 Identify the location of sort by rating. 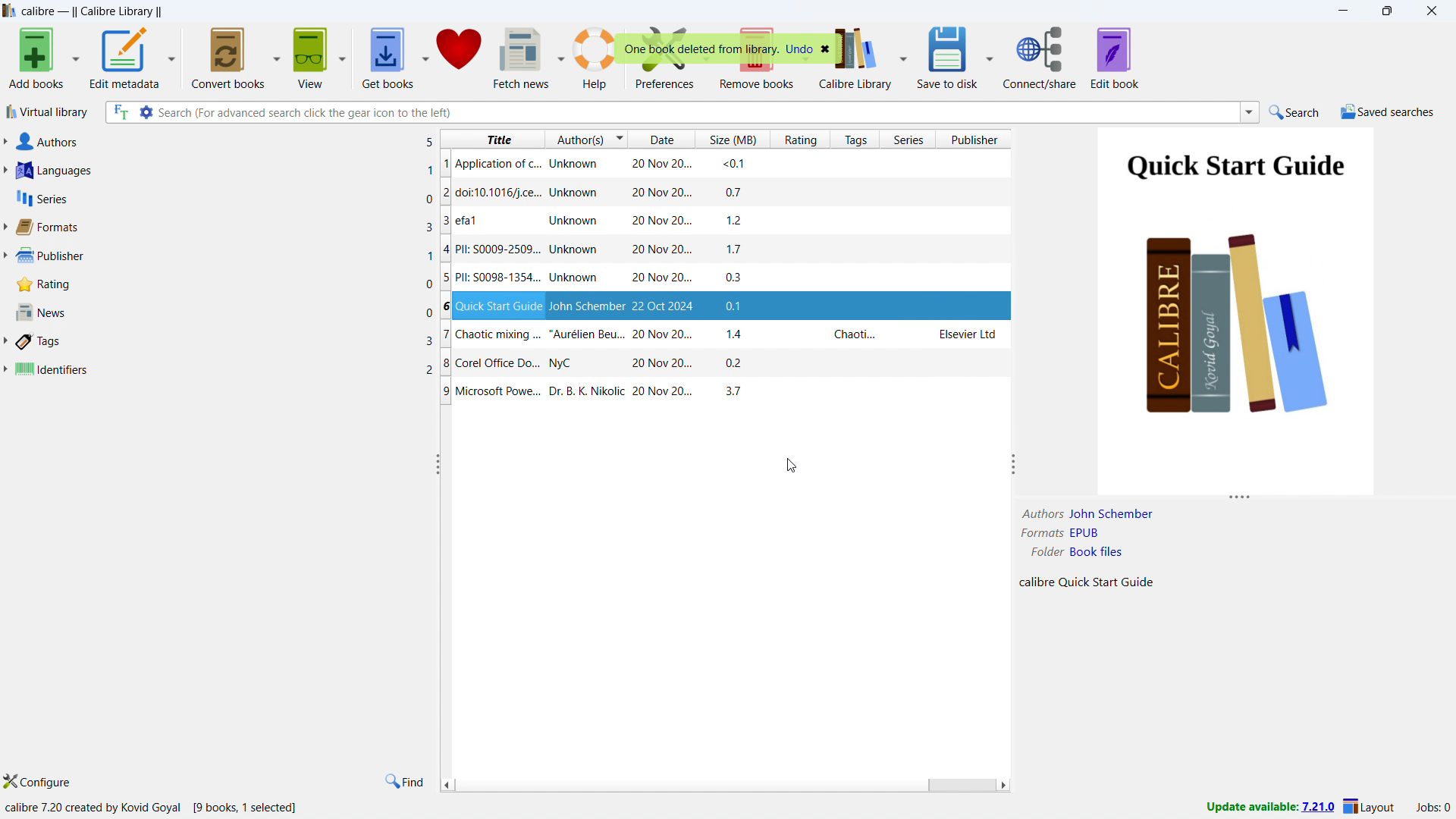
(805, 140).